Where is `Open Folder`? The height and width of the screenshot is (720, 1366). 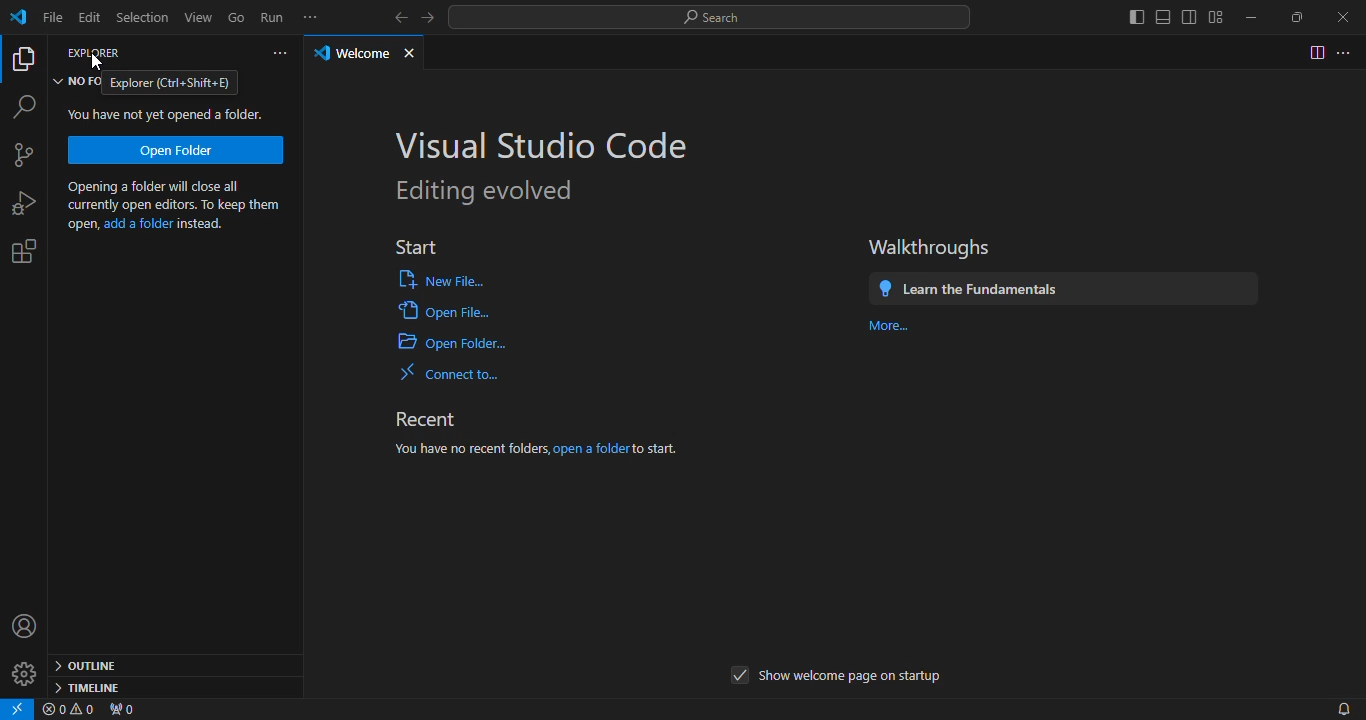 Open Folder is located at coordinates (454, 344).